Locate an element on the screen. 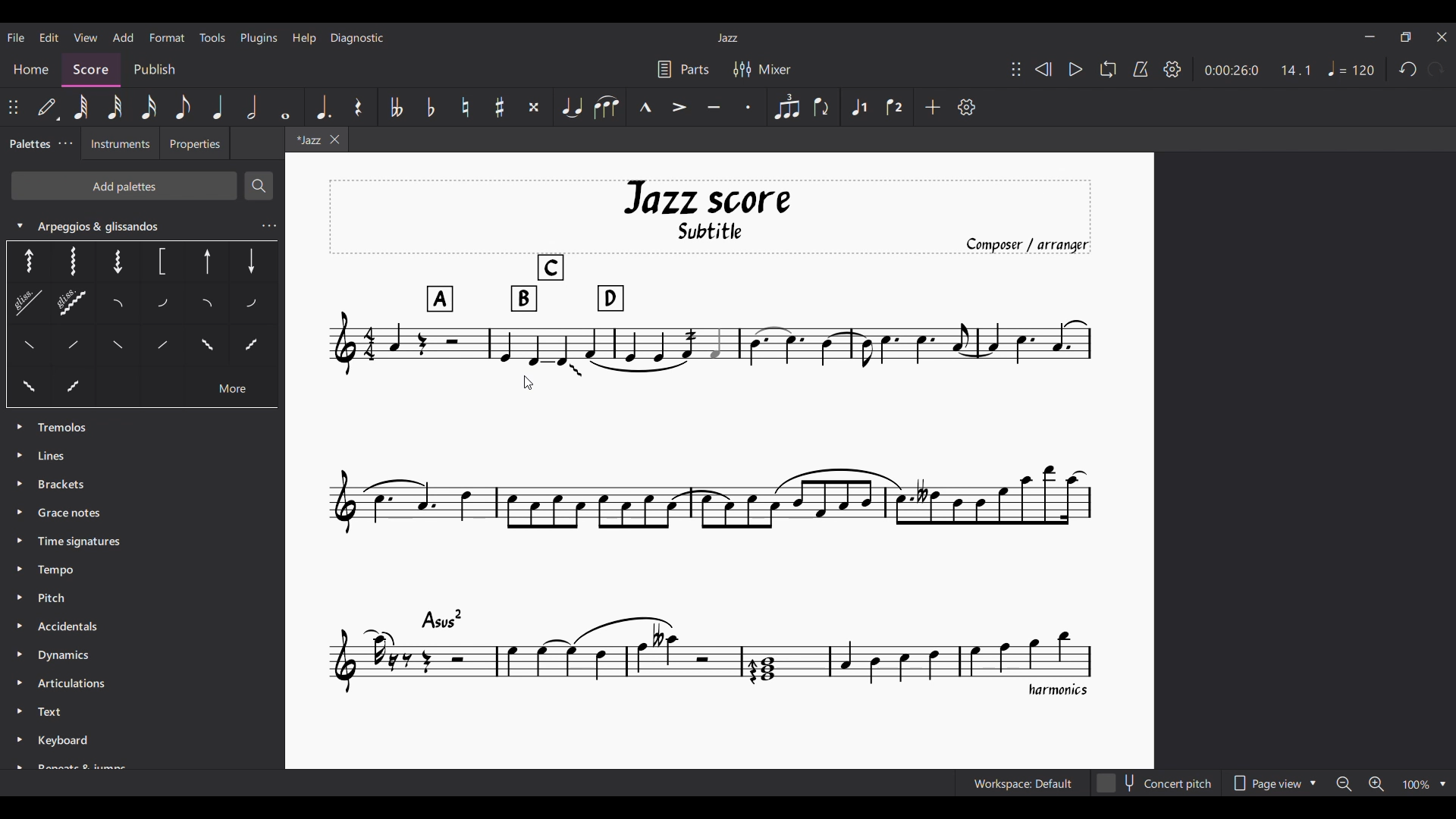  Settings is located at coordinates (1172, 69).